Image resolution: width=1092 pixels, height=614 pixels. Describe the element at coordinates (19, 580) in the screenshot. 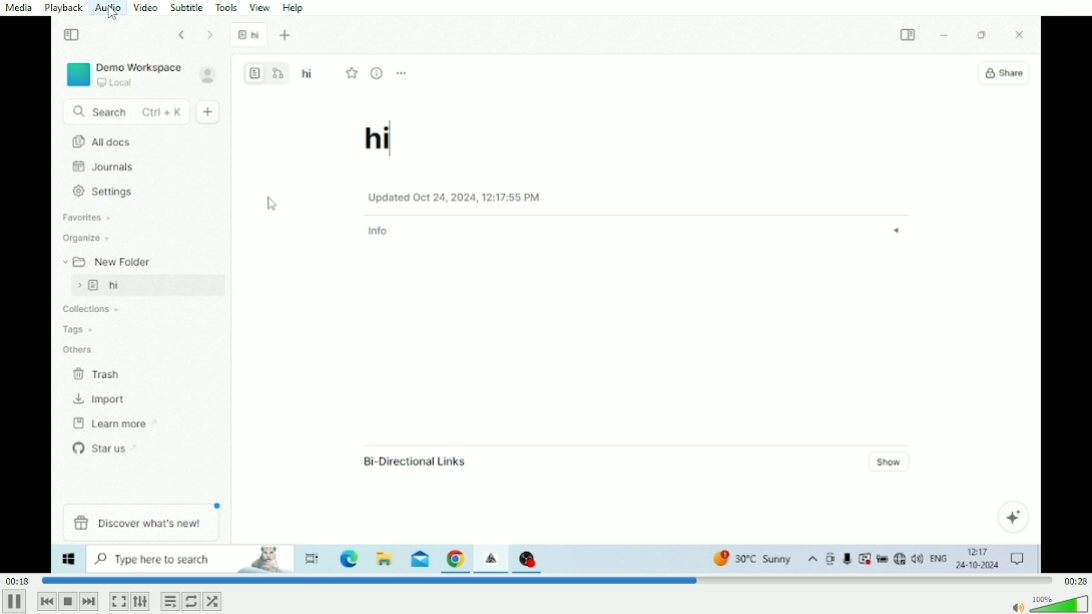

I see `Elapsed time "00:18"` at that location.